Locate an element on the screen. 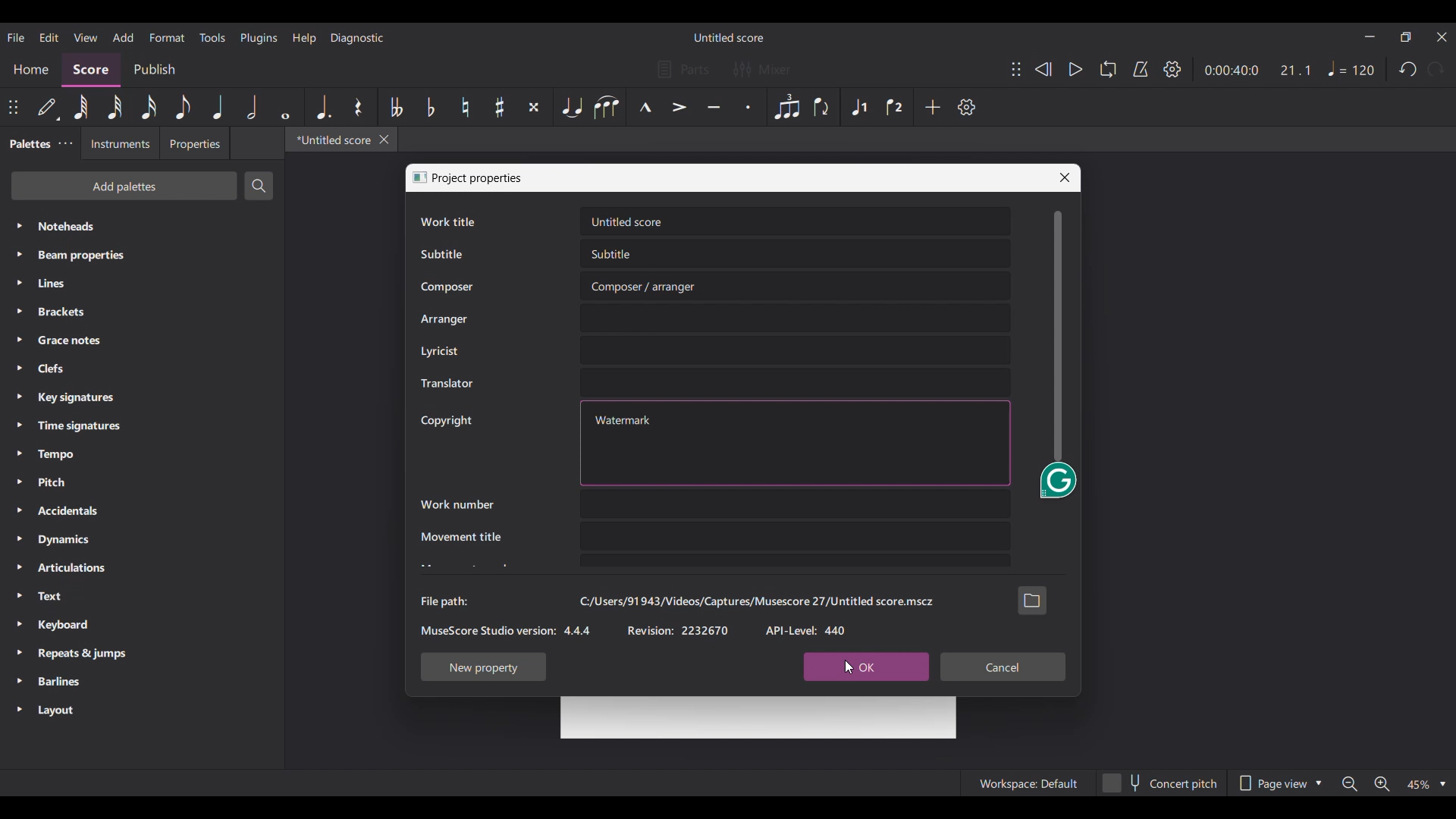 The image size is (1456, 819). Show in smaller tab is located at coordinates (1406, 36).